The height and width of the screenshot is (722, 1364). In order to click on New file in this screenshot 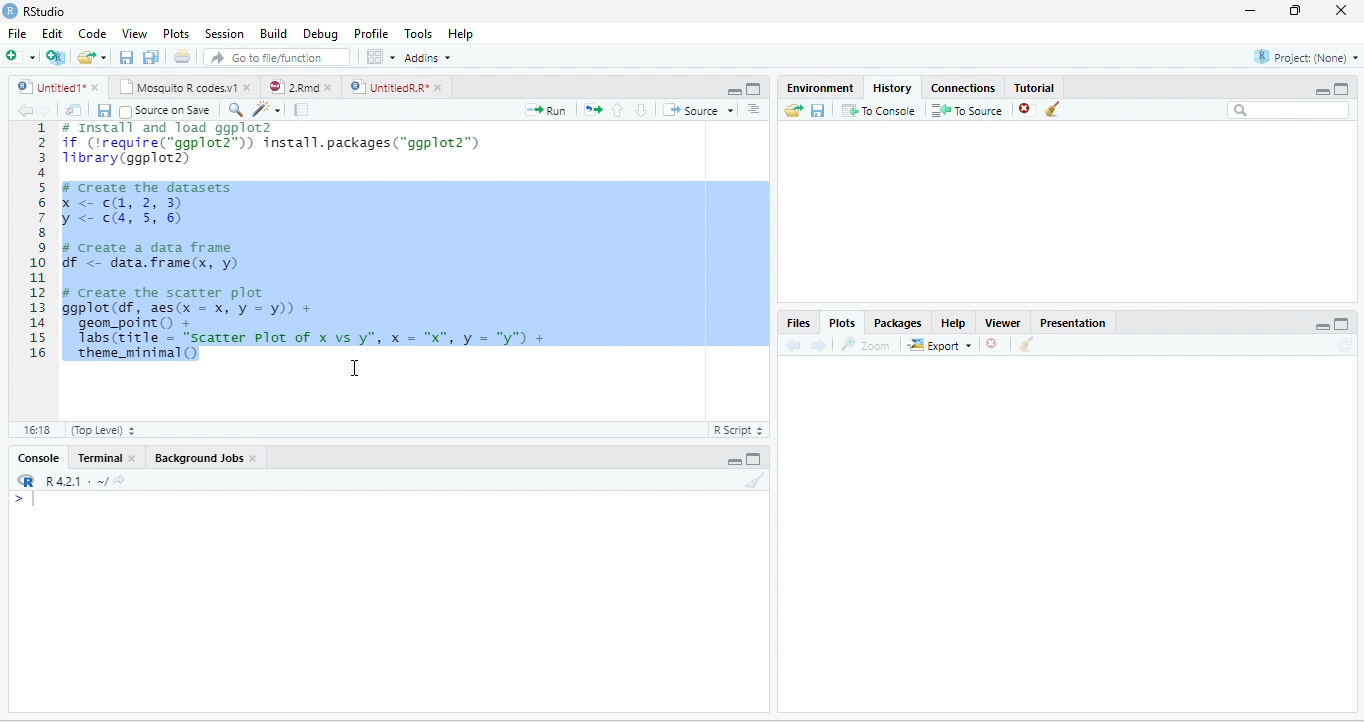, I will do `click(21, 56)`.